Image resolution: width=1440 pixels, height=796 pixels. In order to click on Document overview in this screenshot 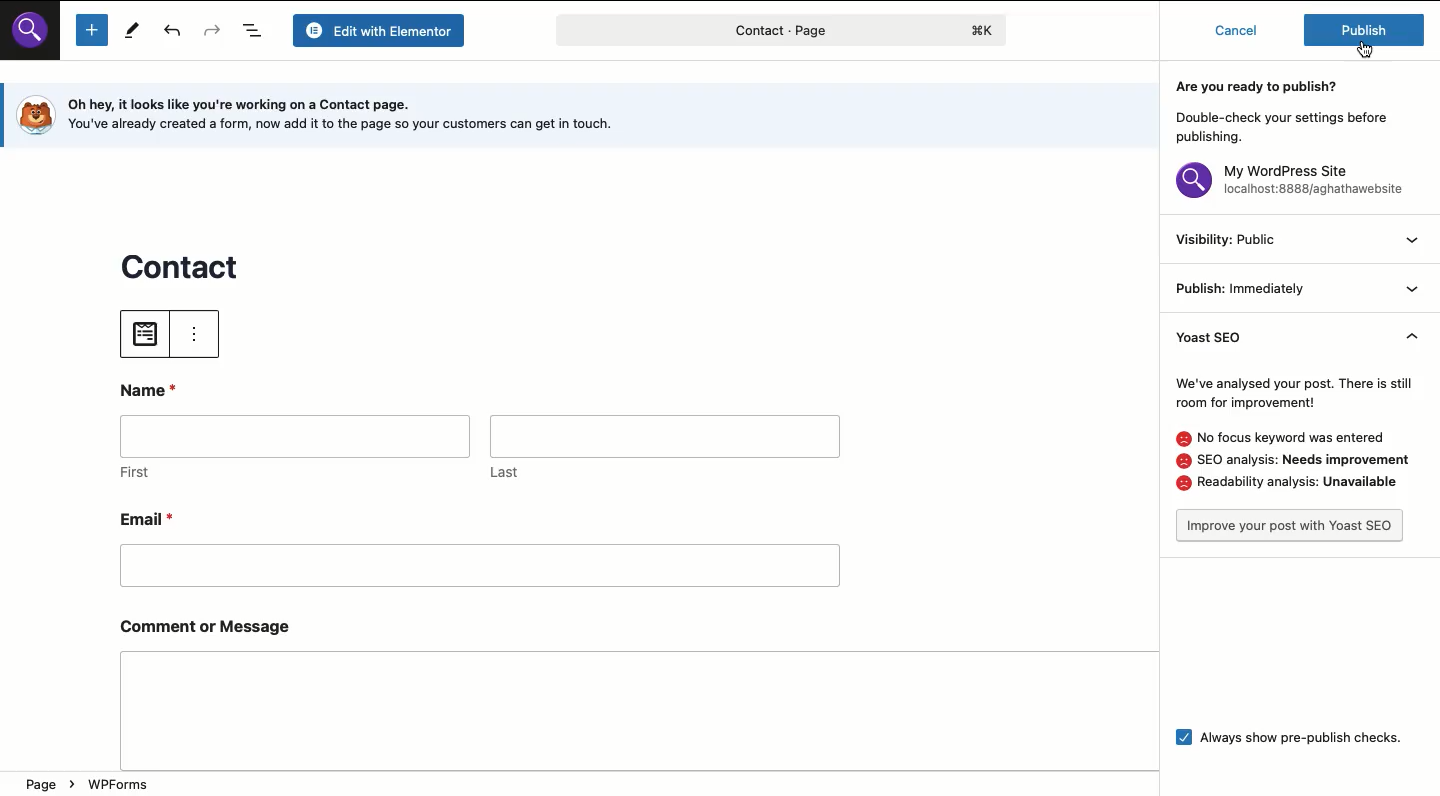, I will do `click(255, 31)`.